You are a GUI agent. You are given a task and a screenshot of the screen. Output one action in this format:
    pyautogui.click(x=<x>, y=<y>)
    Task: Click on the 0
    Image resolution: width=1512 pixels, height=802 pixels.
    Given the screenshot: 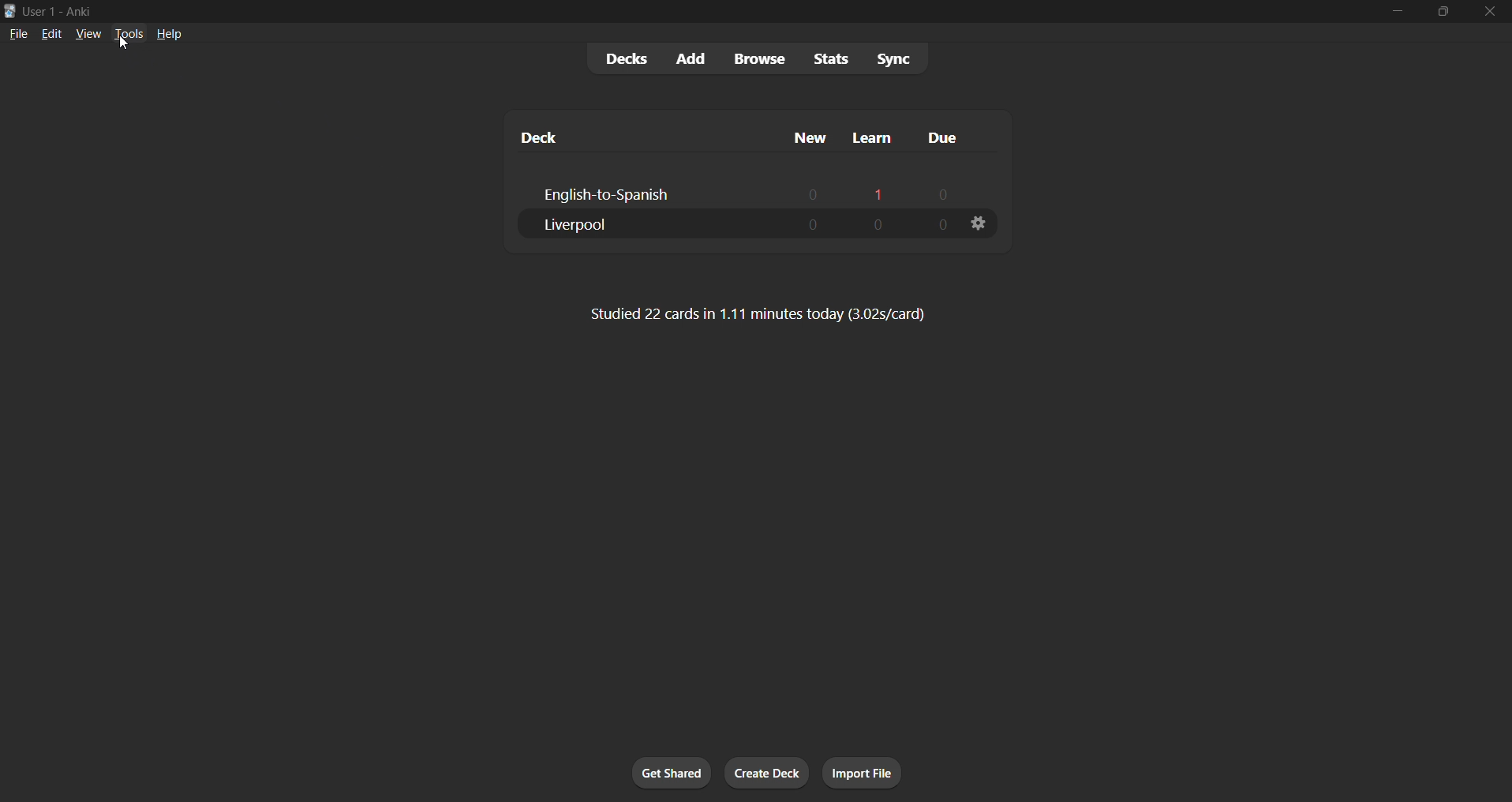 What is the action you would take?
    pyautogui.click(x=945, y=194)
    